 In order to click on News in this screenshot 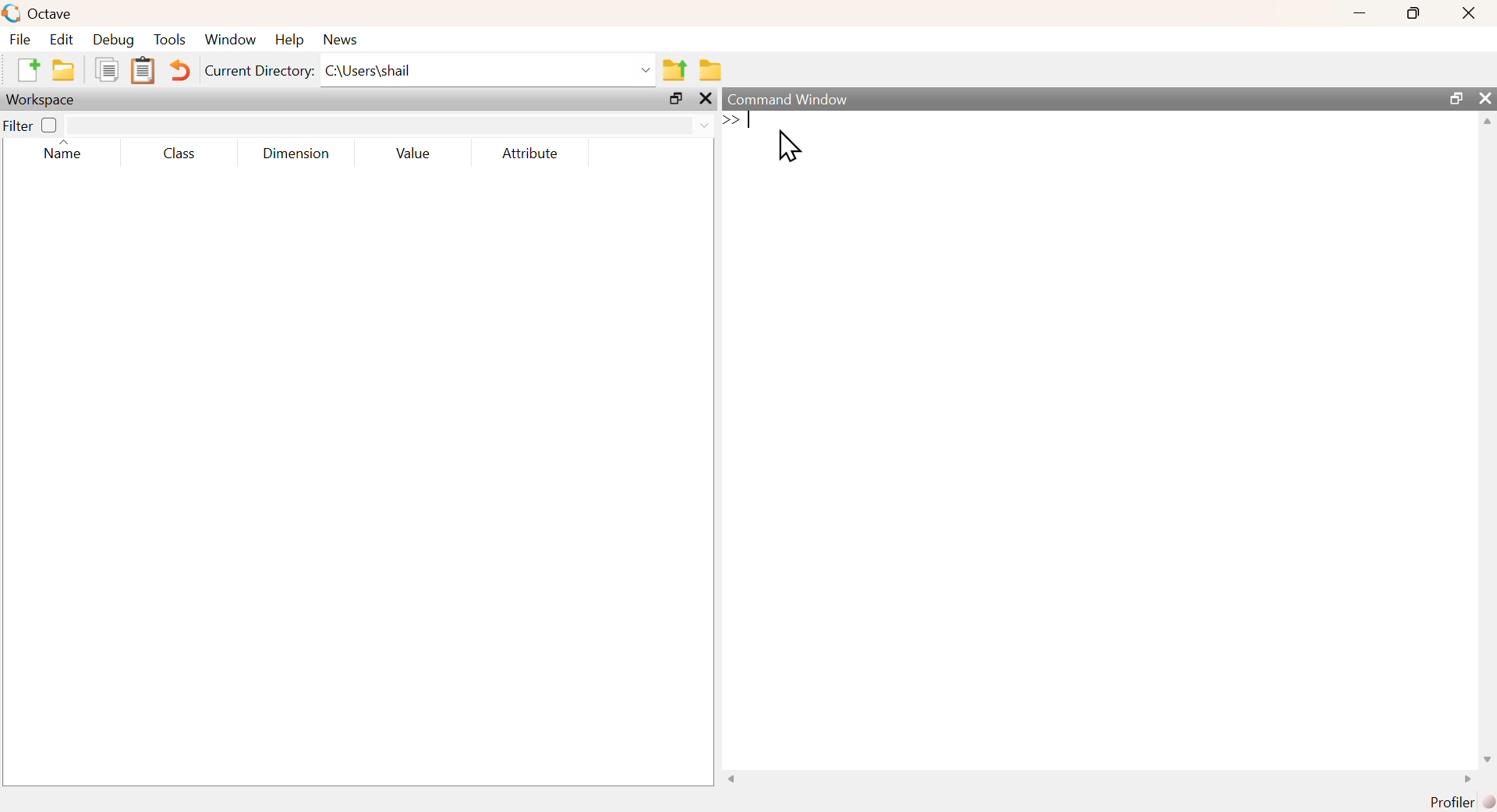, I will do `click(341, 40)`.